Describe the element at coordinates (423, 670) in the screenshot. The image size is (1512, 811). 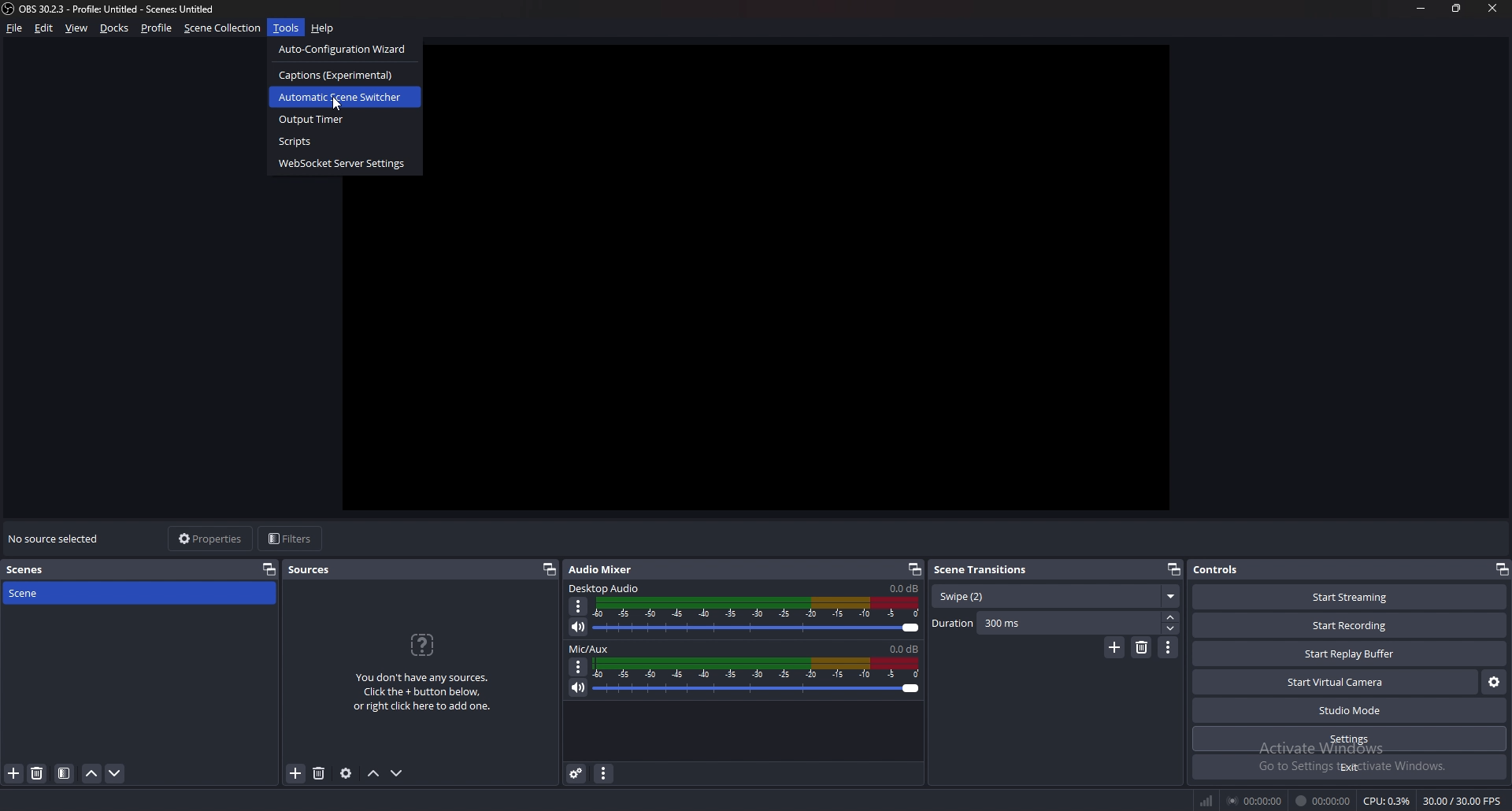
I see `info` at that location.